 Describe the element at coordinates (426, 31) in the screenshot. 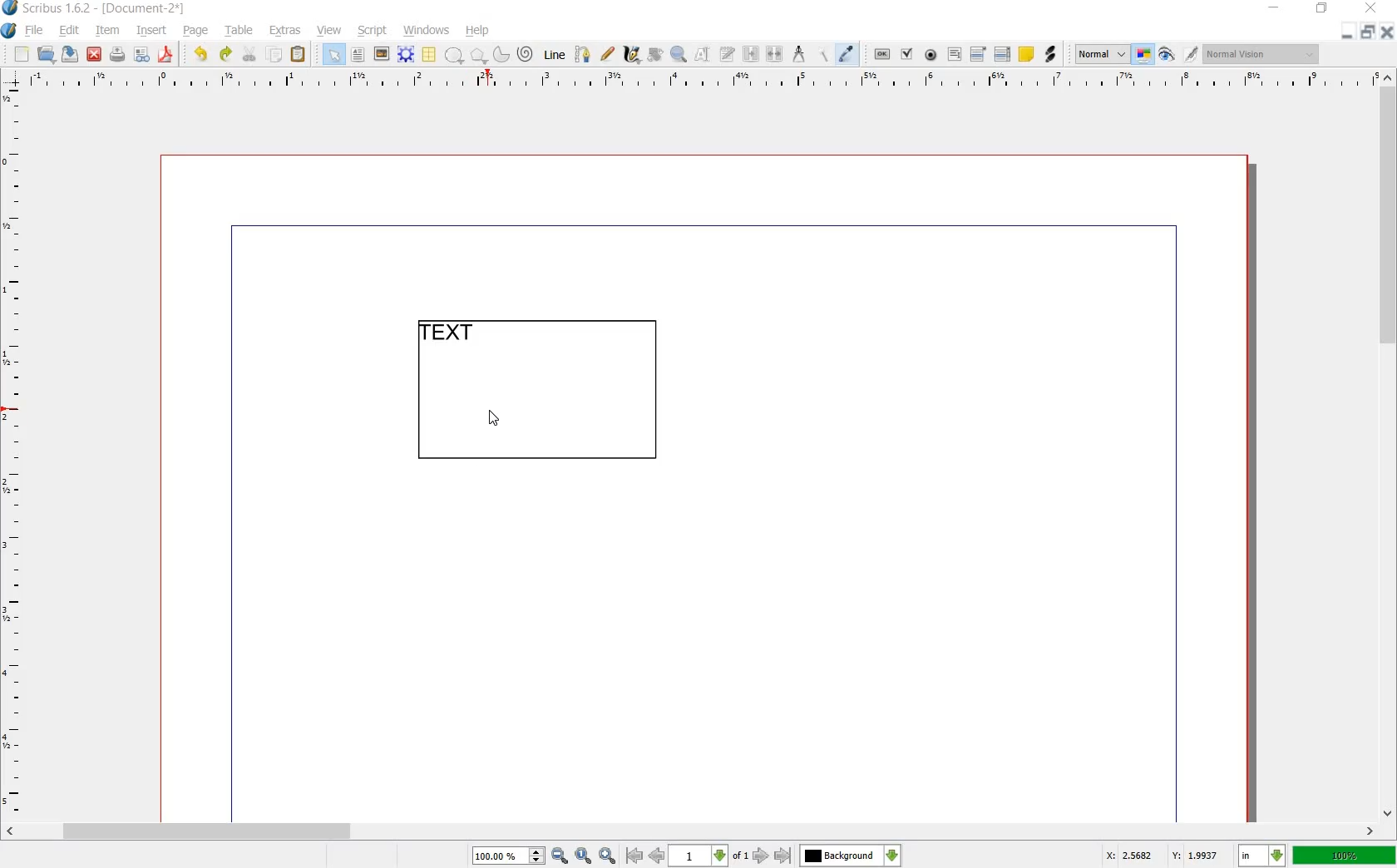

I see `windows` at that location.